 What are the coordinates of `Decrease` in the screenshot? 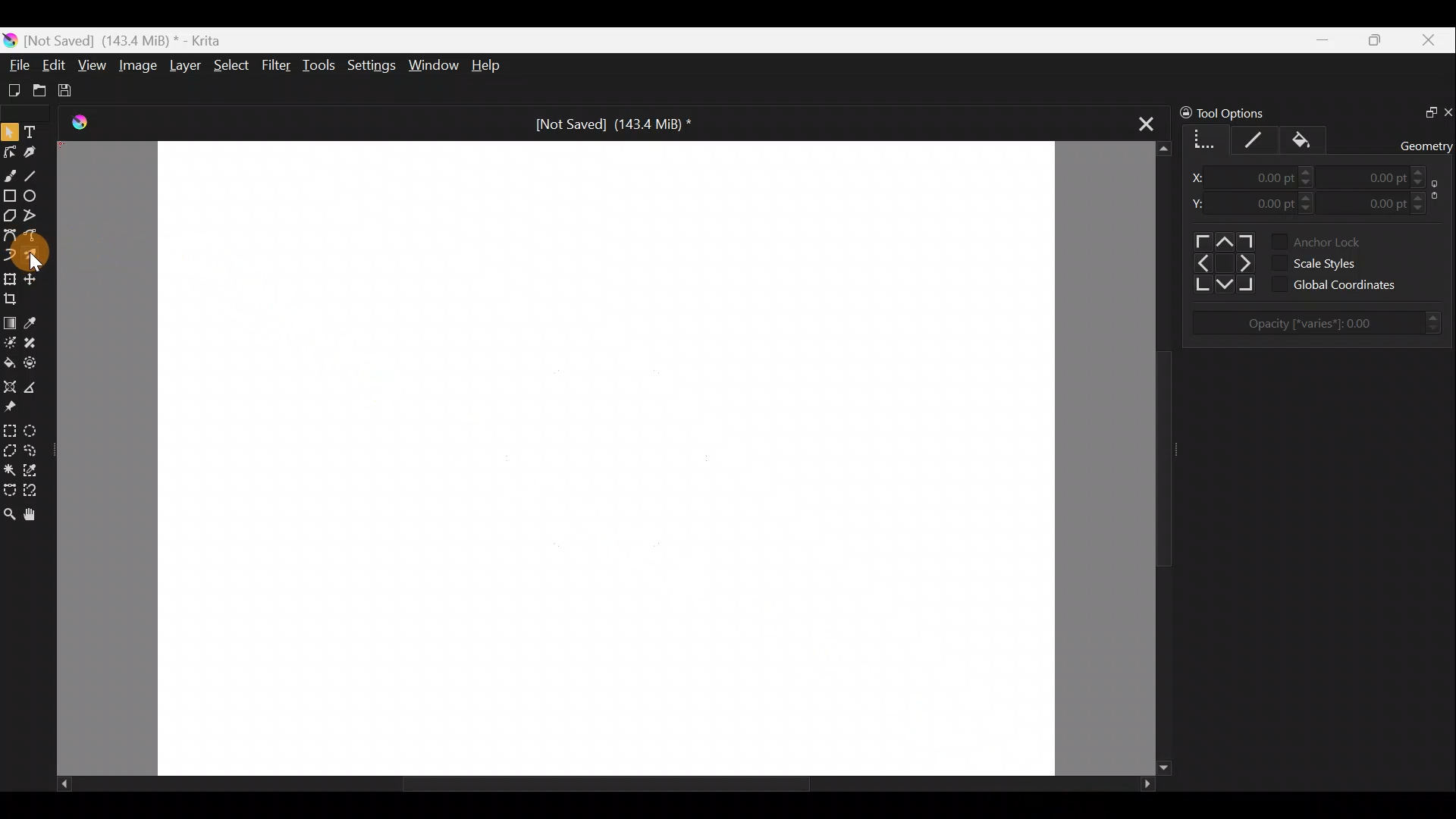 It's located at (1312, 212).